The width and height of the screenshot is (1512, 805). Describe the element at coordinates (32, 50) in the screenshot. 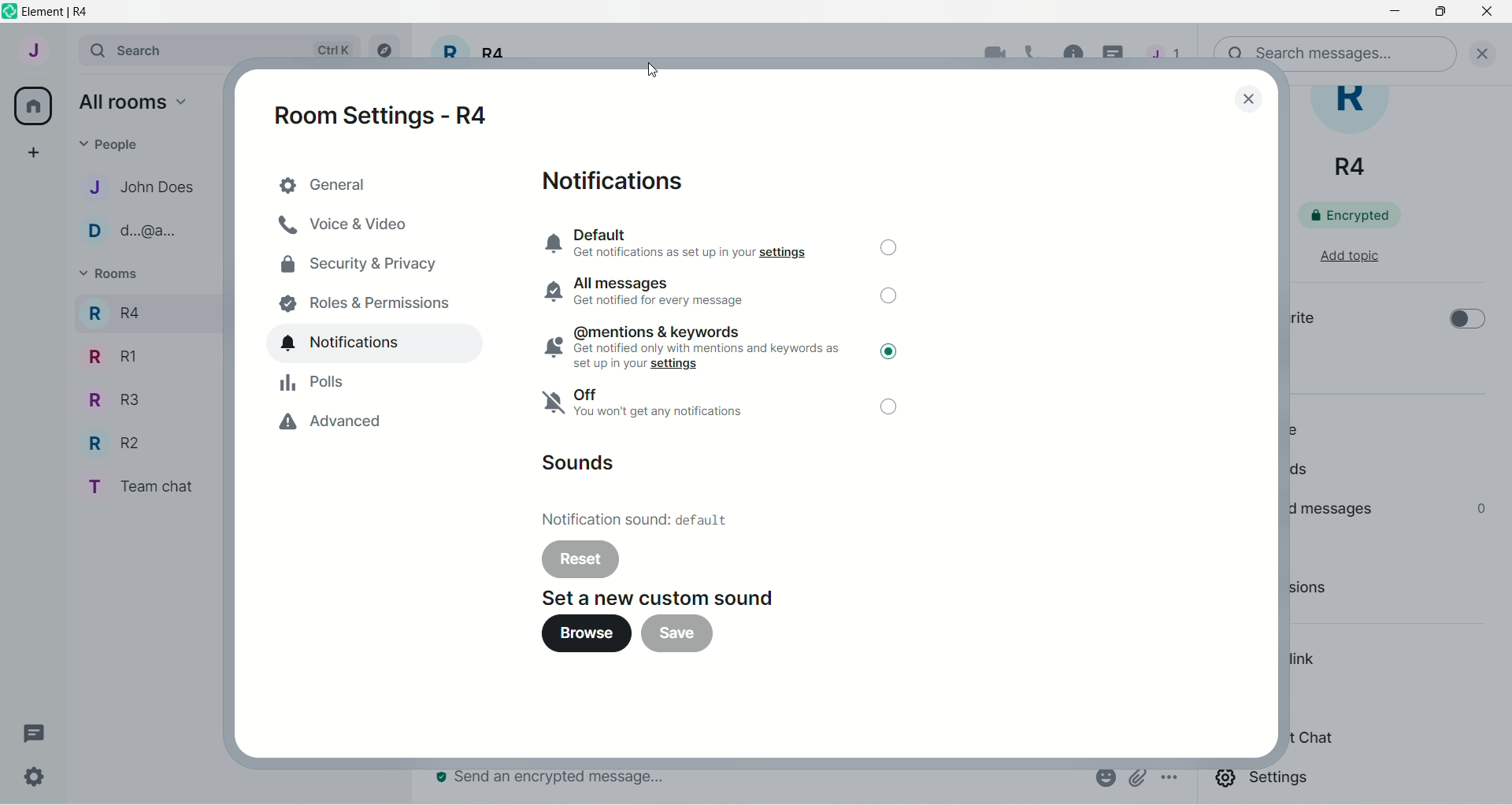

I see `account` at that location.